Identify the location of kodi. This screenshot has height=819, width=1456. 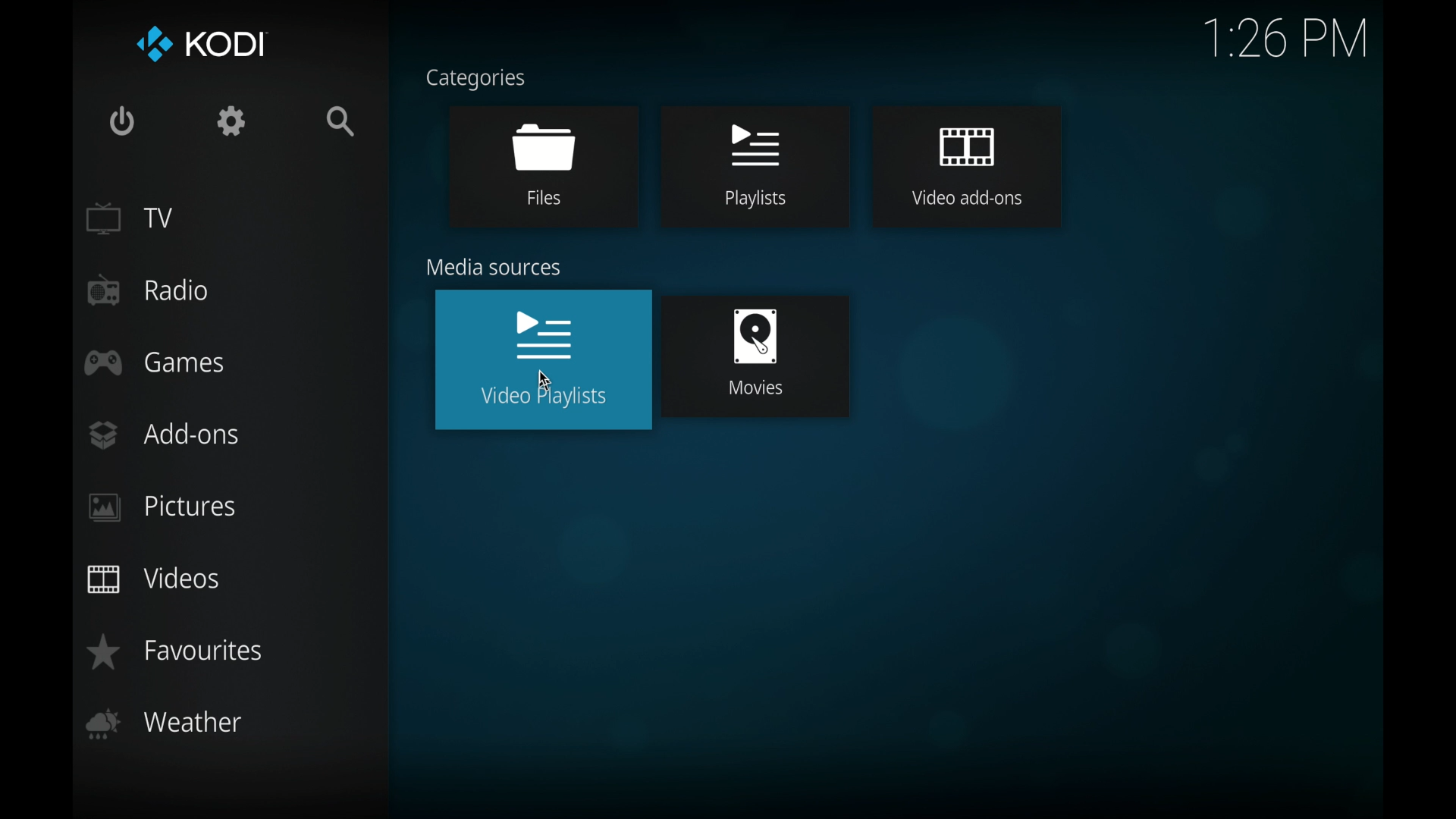
(200, 43).